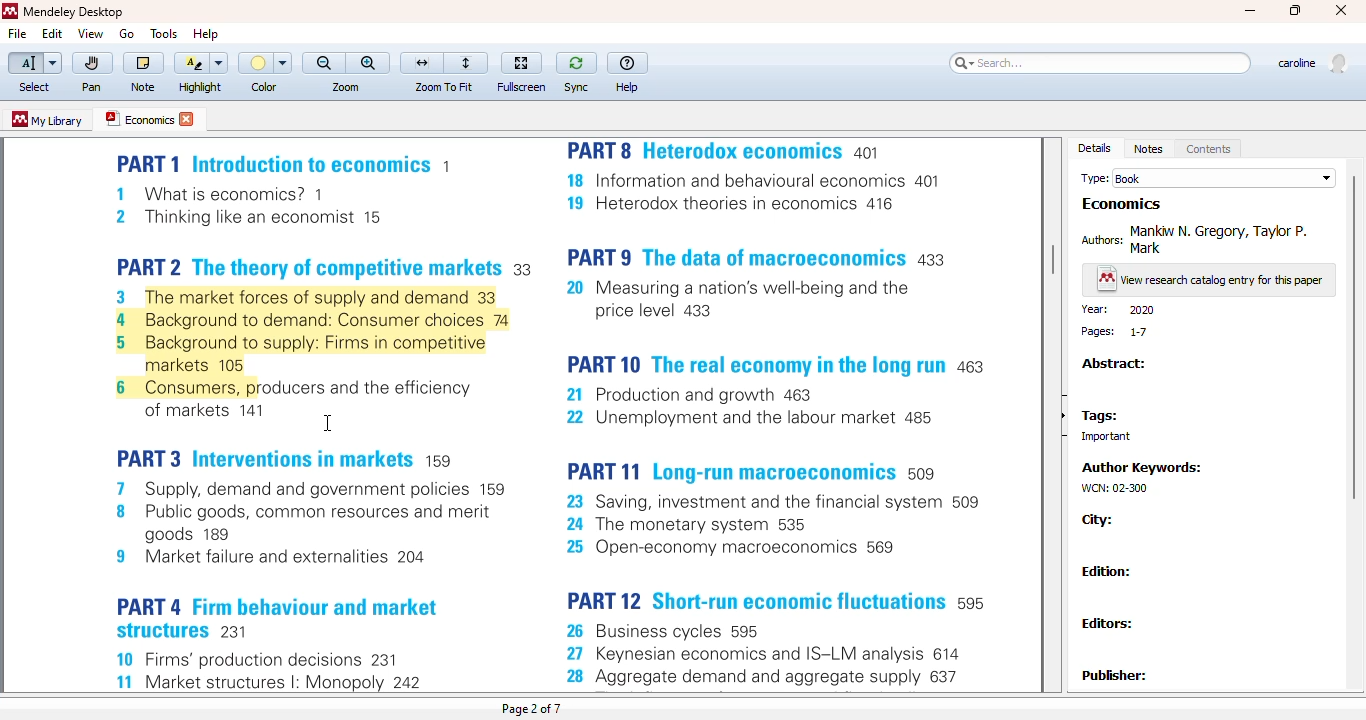  I want to click on pan, so click(91, 87).